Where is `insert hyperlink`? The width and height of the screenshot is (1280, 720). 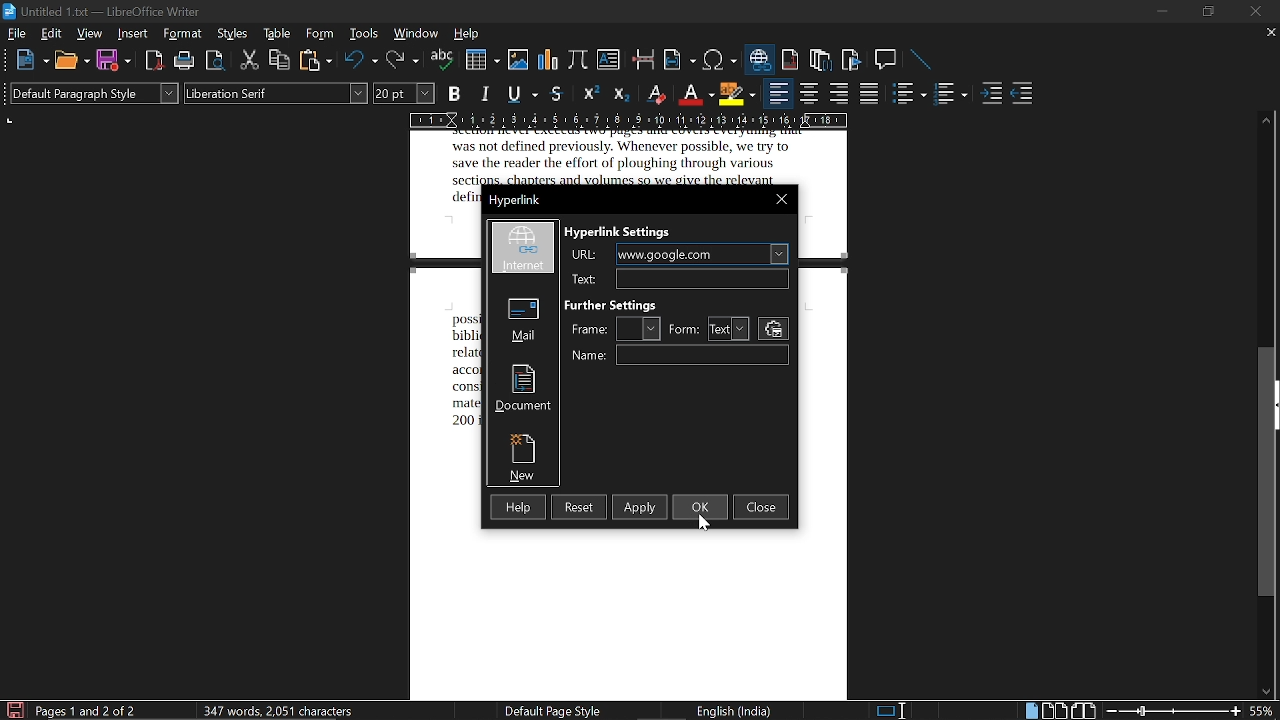 insert hyperlink is located at coordinates (762, 61).